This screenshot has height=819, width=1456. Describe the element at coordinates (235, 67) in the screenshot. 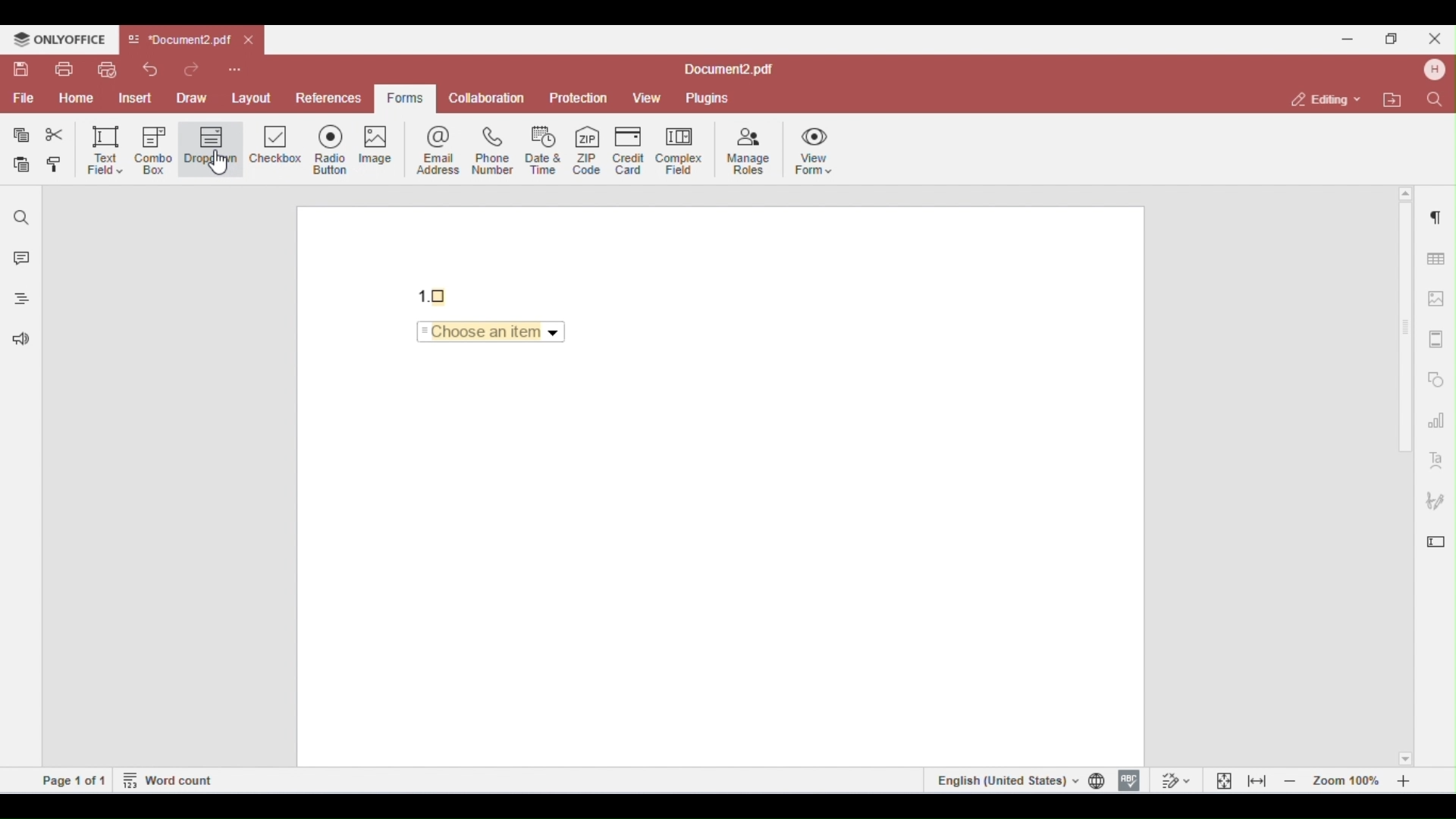

I see `quick access tool bar` at that location.